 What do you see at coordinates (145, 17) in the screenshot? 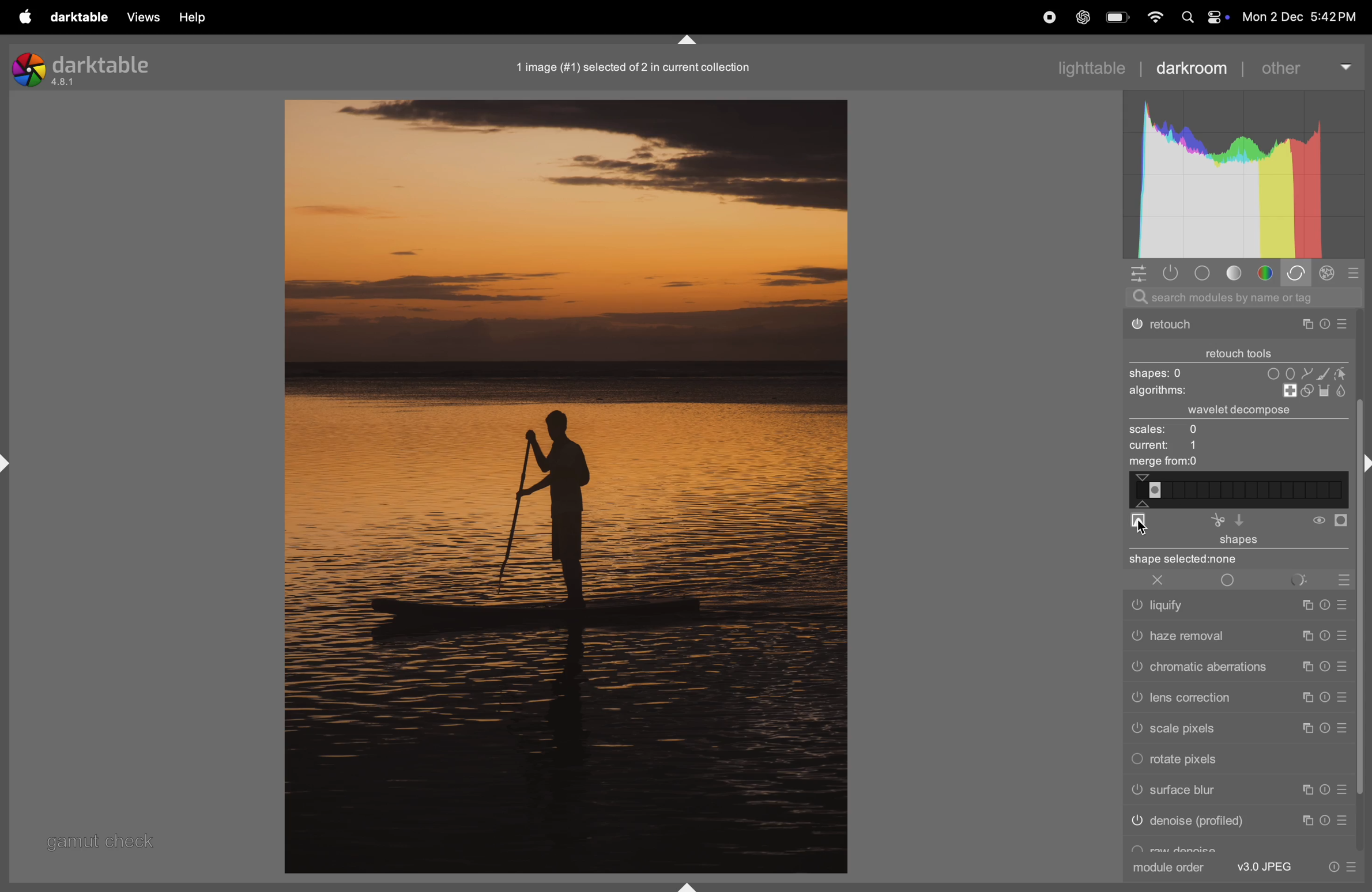
I see `views` at bounding box center [145, 17].